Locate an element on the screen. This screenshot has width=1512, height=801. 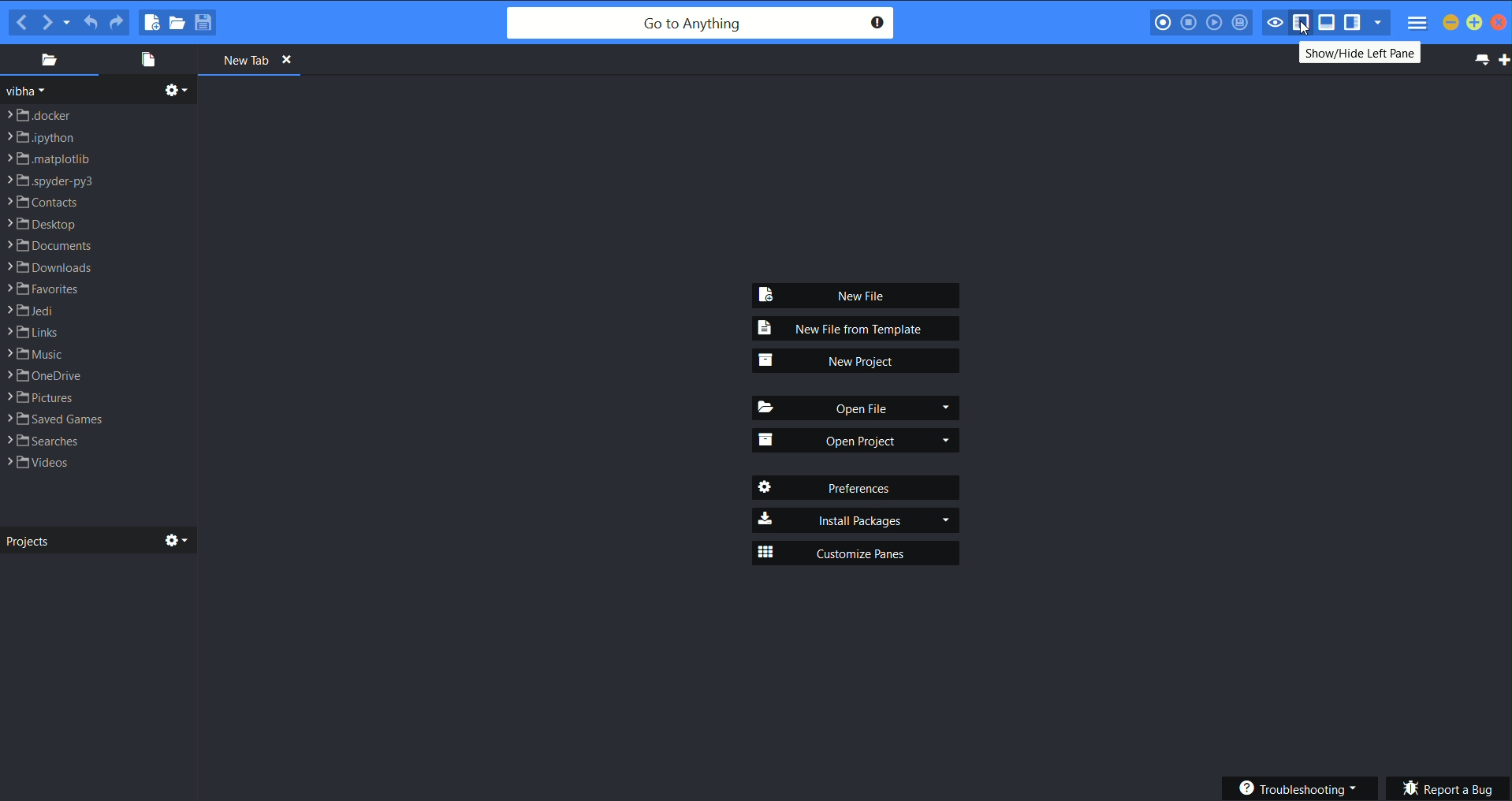
text is located at coordinates (1357, 54).